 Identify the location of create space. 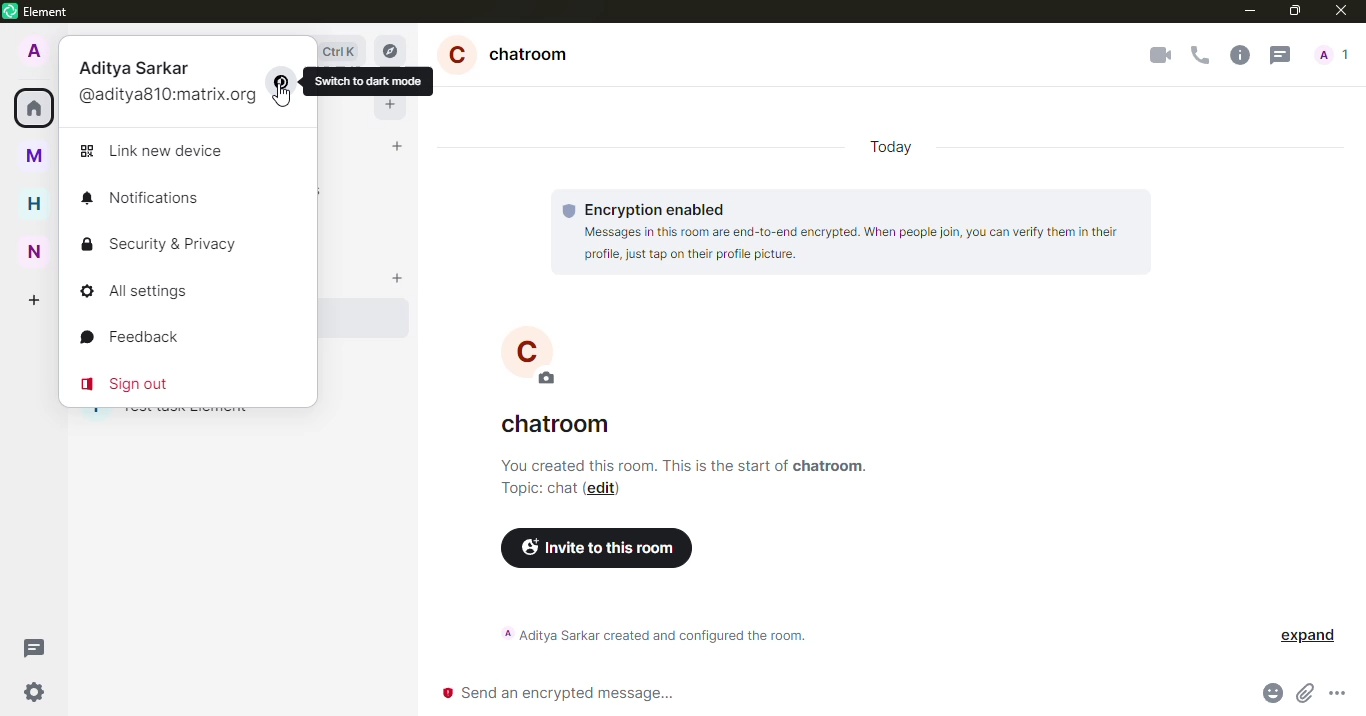
(34, 299).